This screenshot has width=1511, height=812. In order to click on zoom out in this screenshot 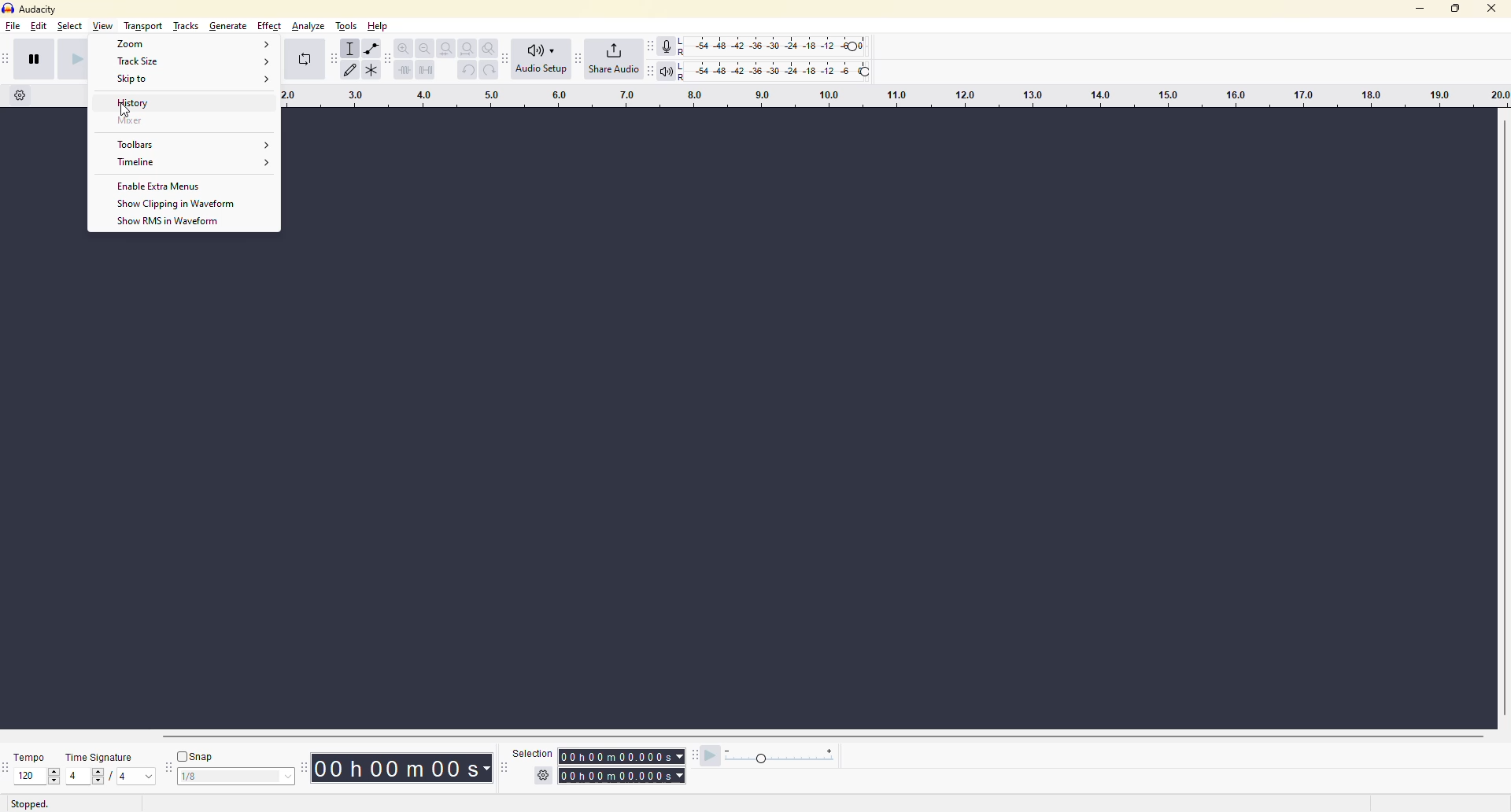, I will do `click(426, 48)`.